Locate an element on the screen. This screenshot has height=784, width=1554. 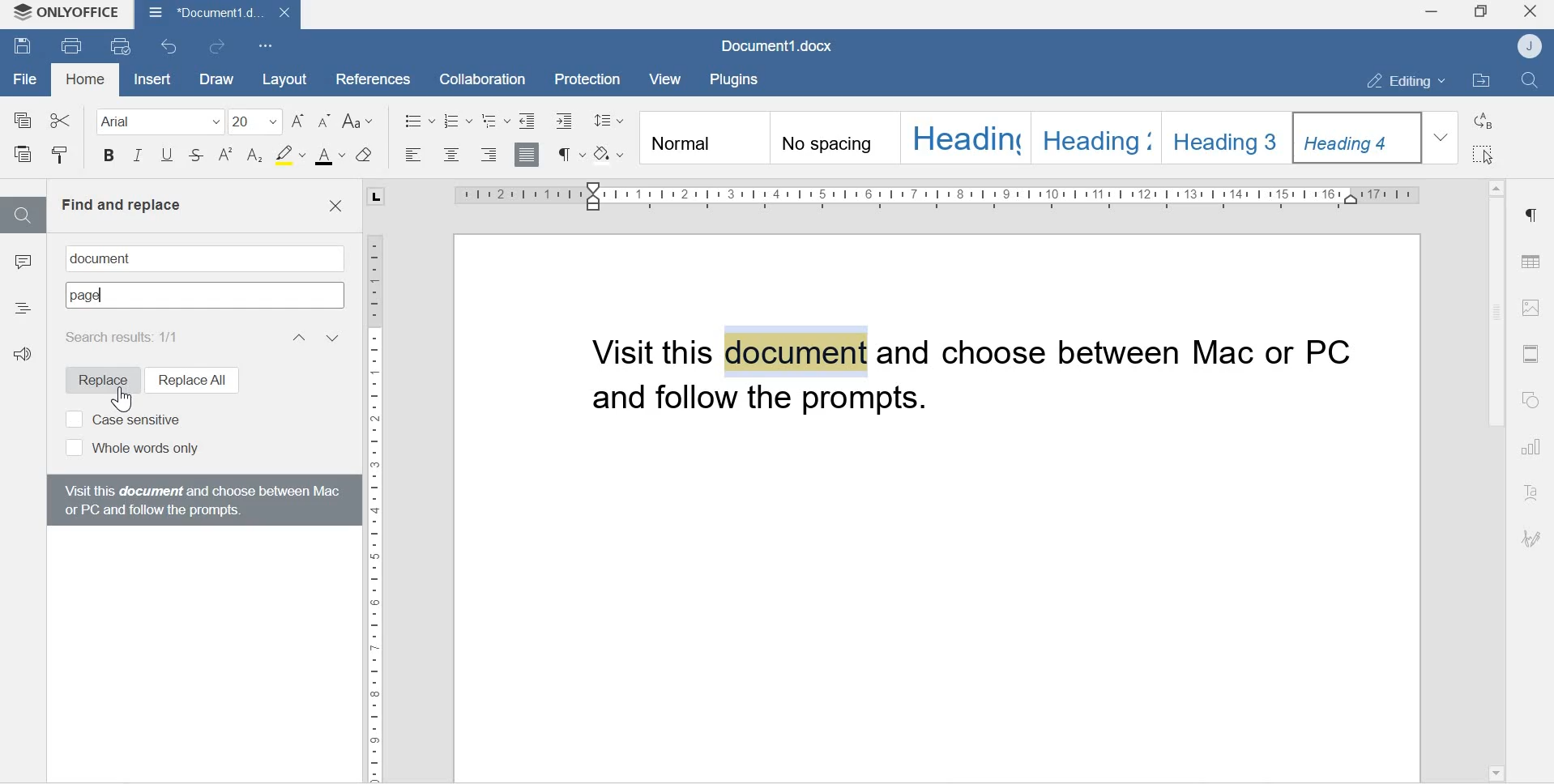
and follow the prompts. is located at coordinates (776, 404).